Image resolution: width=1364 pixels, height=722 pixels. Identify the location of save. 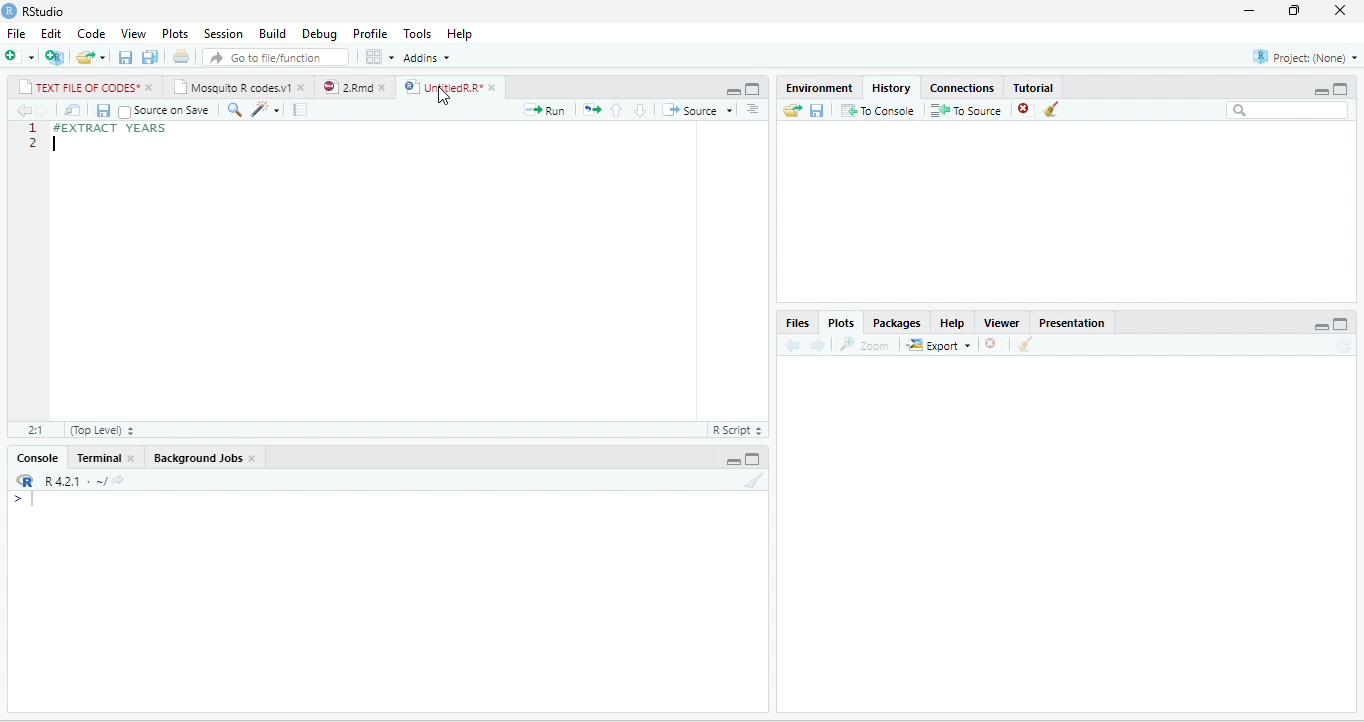
(817, 110).